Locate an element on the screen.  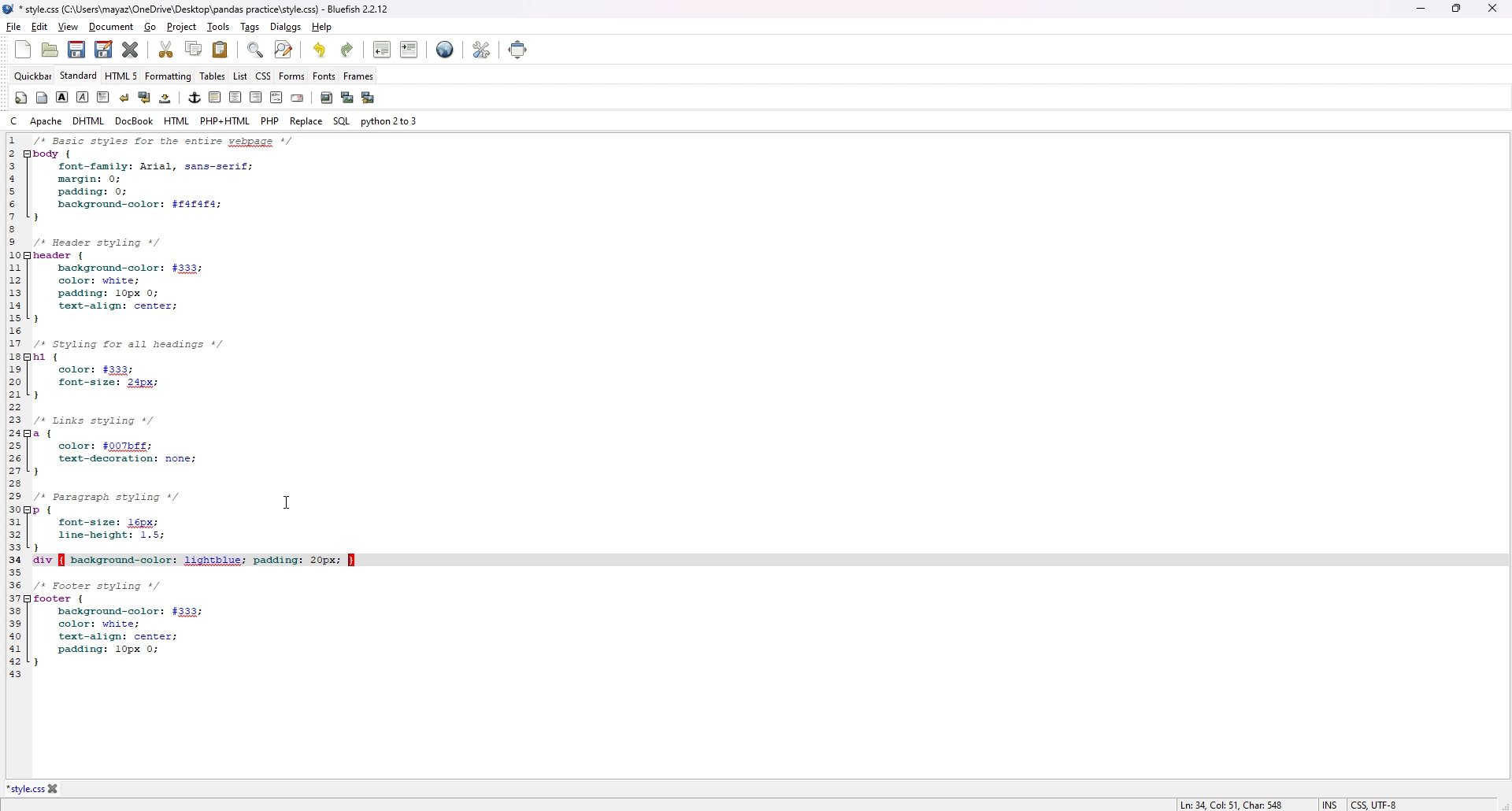
php is located at coordinates (269, 121).